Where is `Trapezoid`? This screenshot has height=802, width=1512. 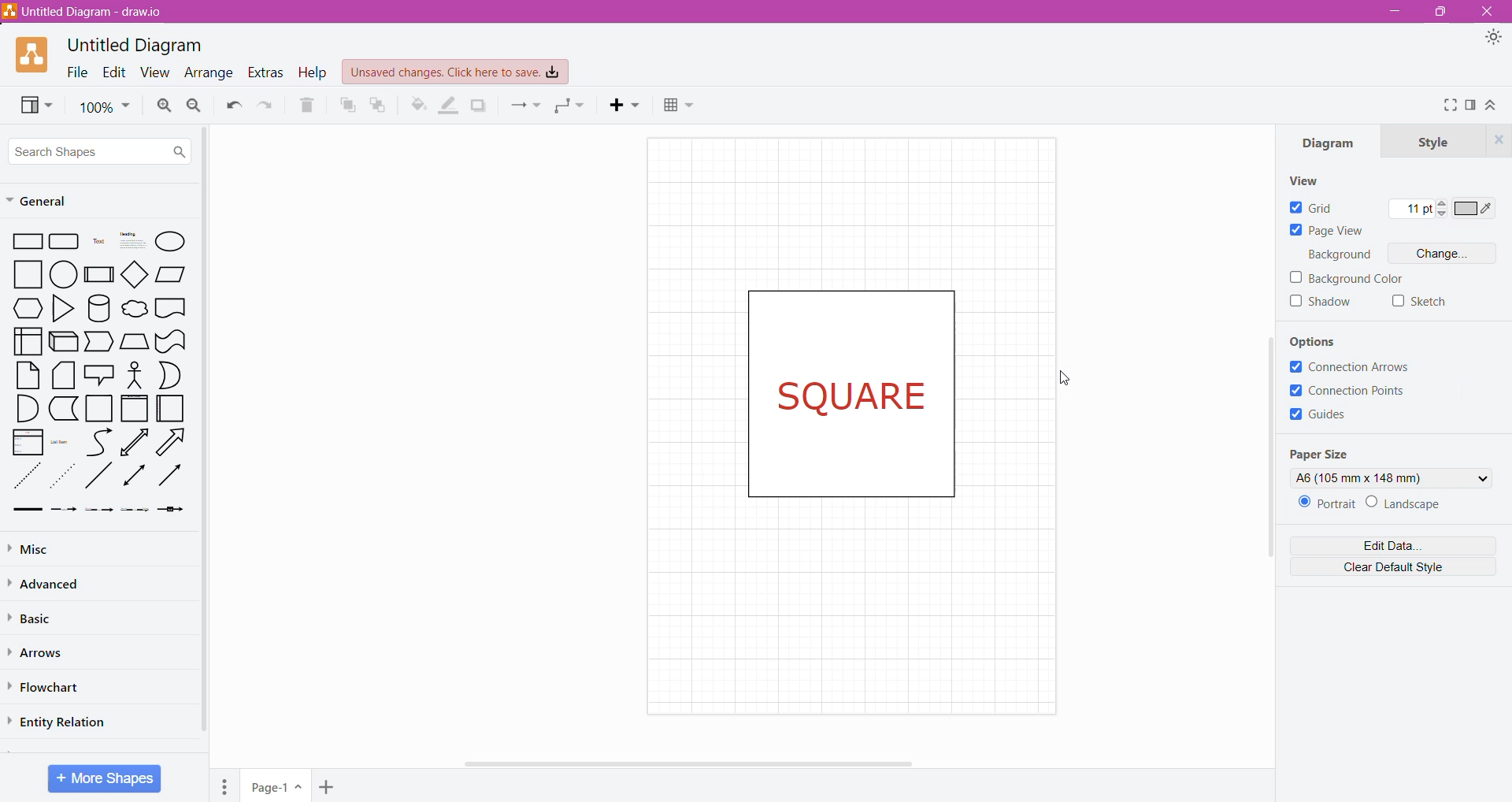 Trapezoid is located at coordinates (99, 343).